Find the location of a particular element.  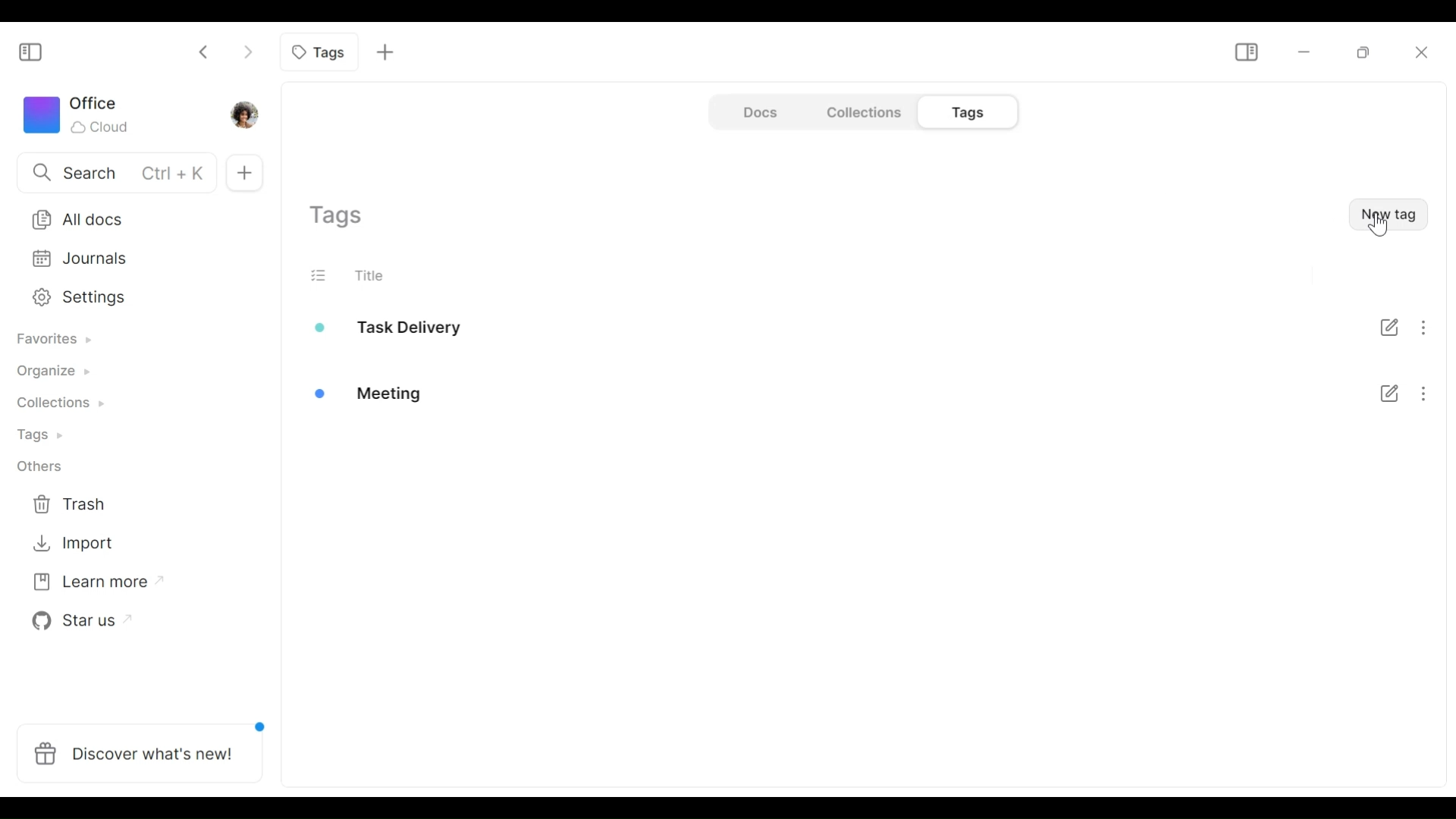

Checklist is located at coordinates (1383, 360).